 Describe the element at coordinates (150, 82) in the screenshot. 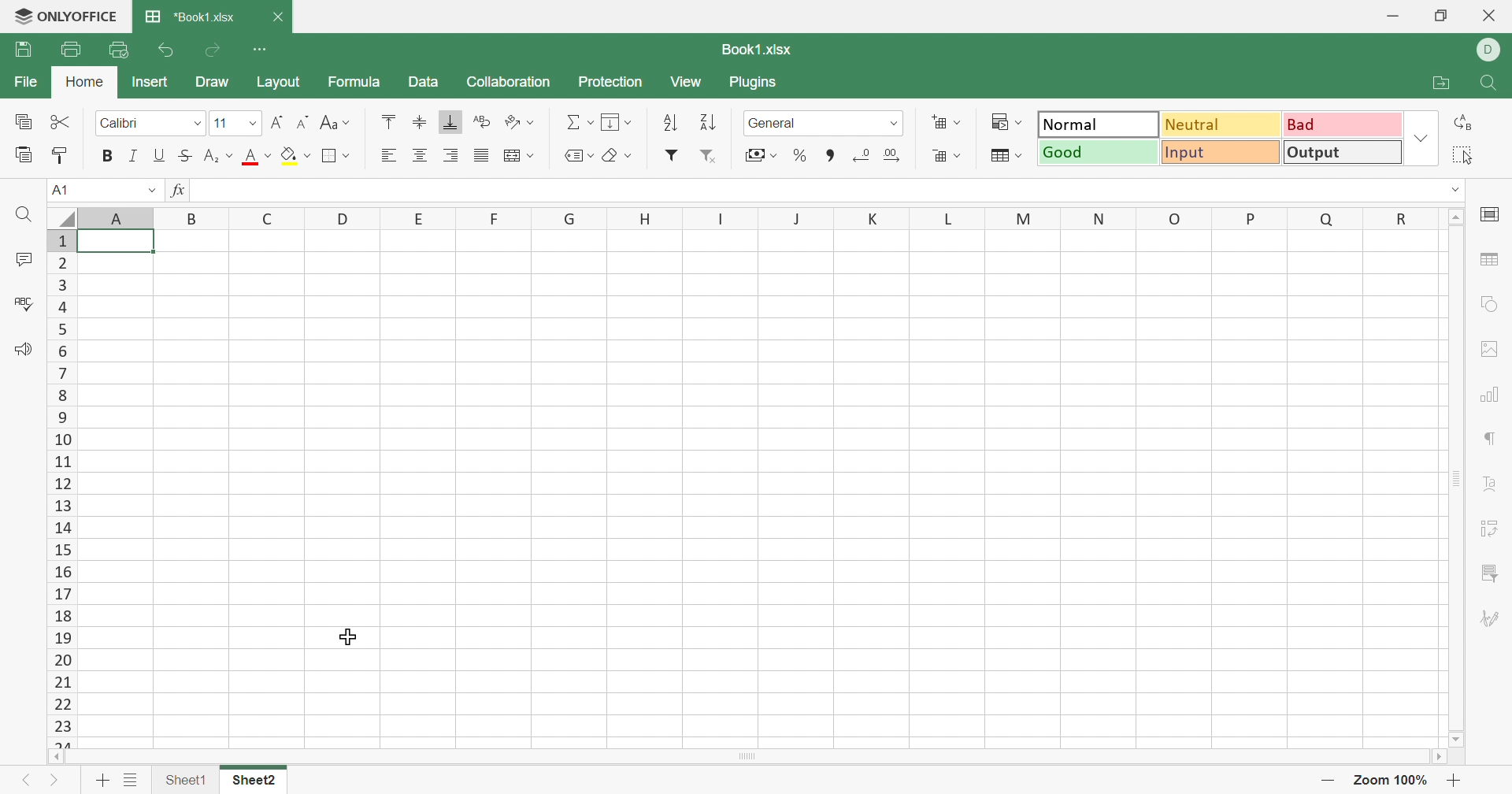

I see `Insert` at that location.